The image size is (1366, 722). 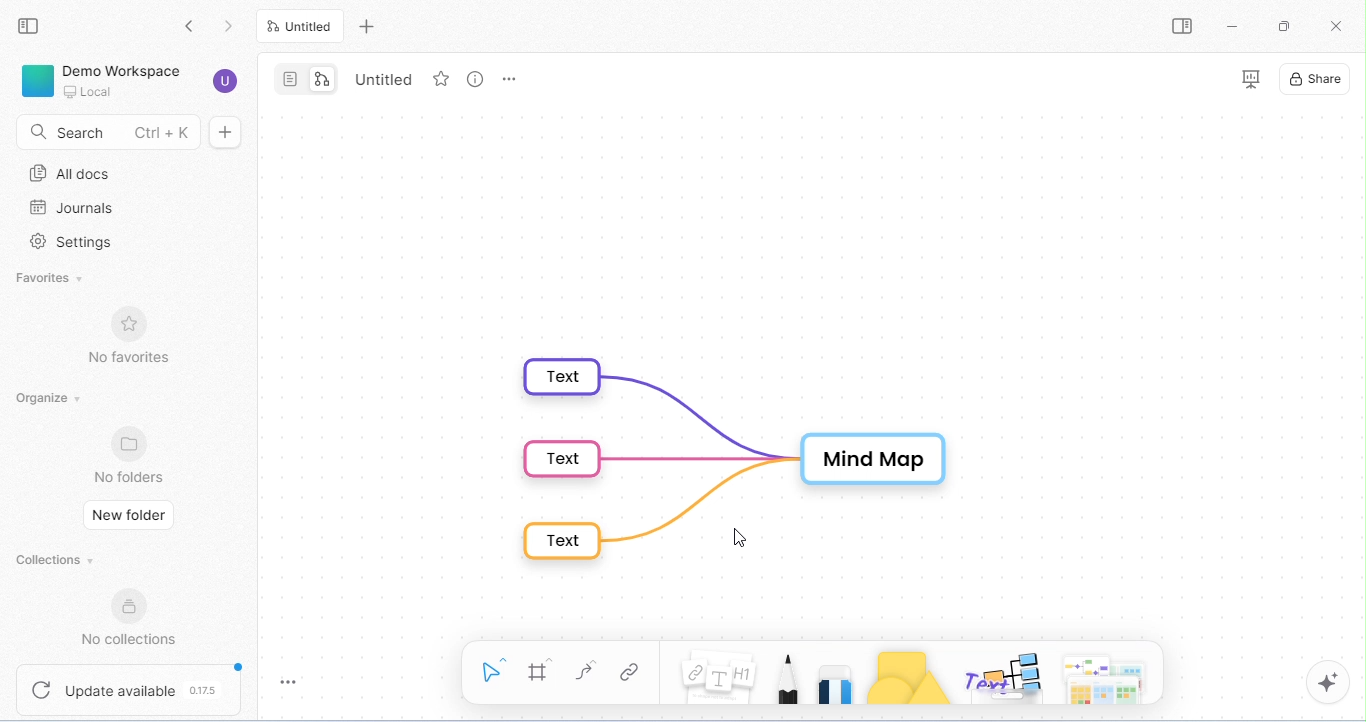 What do you see at coordinates (1001, 680) in the screenshot?
I see `others` at bounding box center [1001, 680].